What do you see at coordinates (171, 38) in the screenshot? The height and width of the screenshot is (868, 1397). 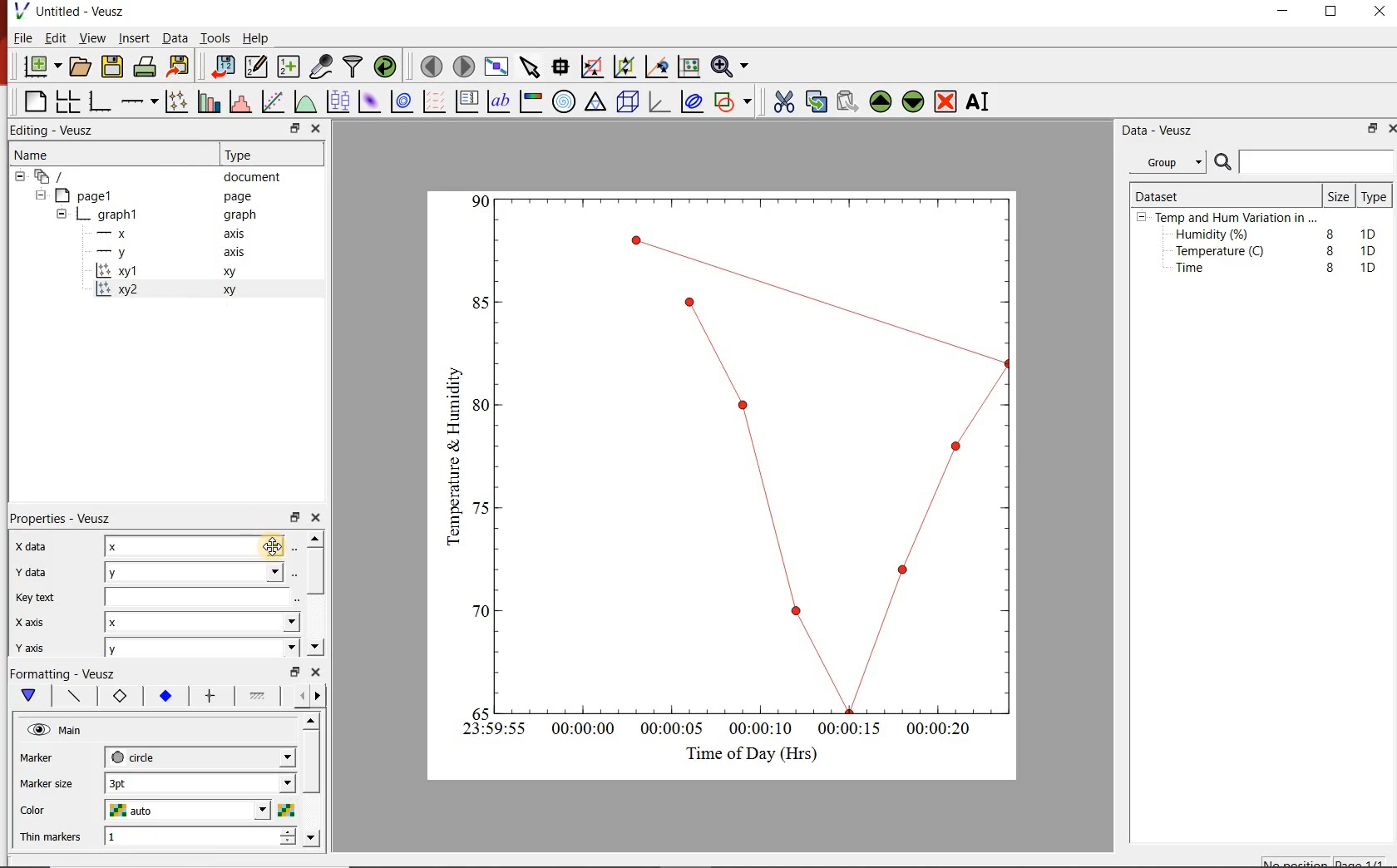 I see `Data` at bounding box center [171, 38].